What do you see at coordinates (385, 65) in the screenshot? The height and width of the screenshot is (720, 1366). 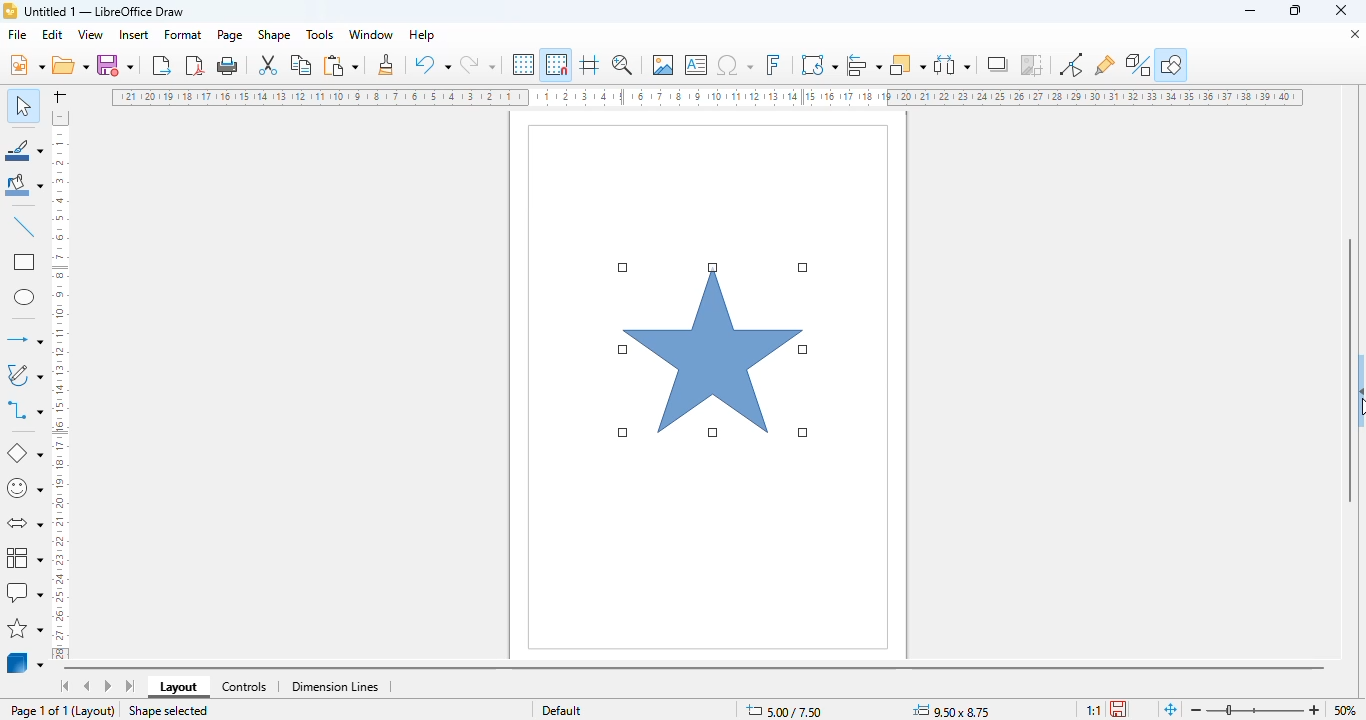 I see `clone formatting` at bounding box center [385, 65].